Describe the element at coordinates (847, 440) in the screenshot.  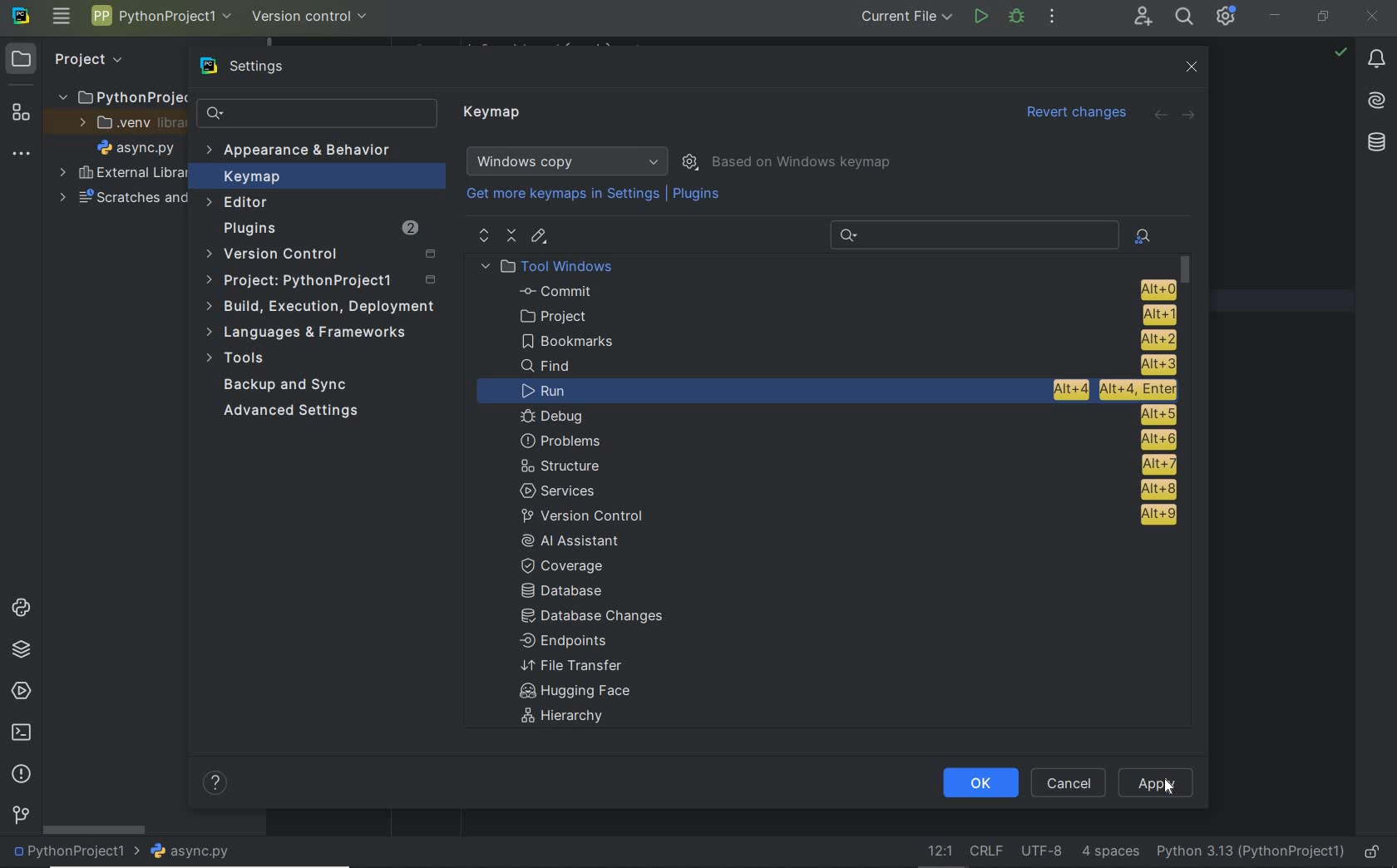
I see `problems` at that location.